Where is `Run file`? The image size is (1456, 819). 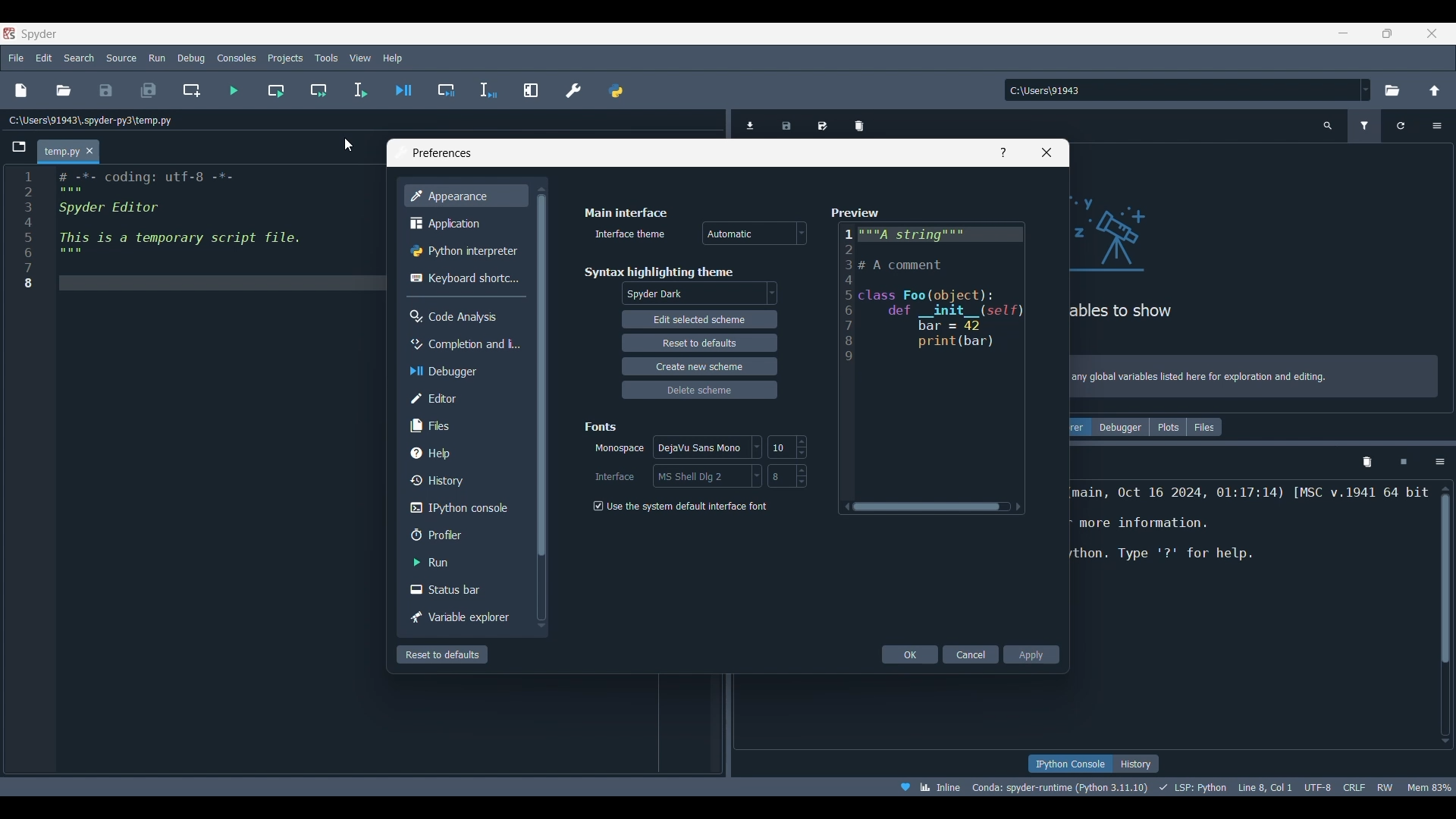
Run file is located at coordinates (233, 90).